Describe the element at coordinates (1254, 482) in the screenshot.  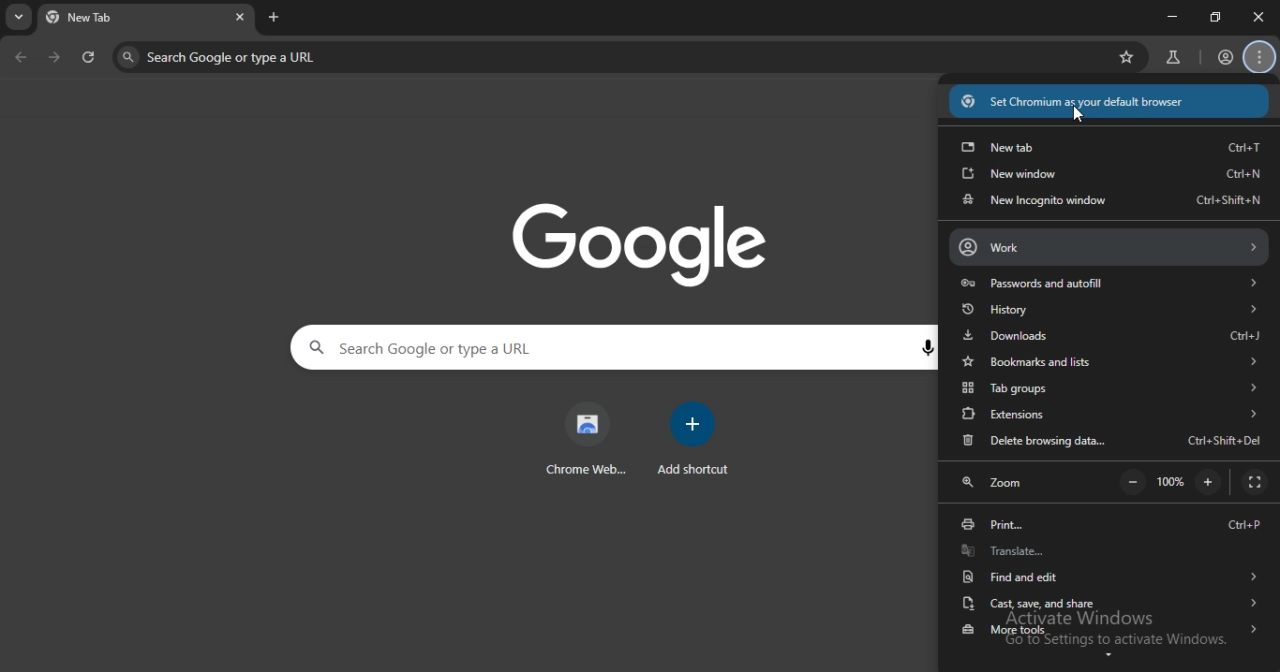
I see `display fulls screen` at that location.